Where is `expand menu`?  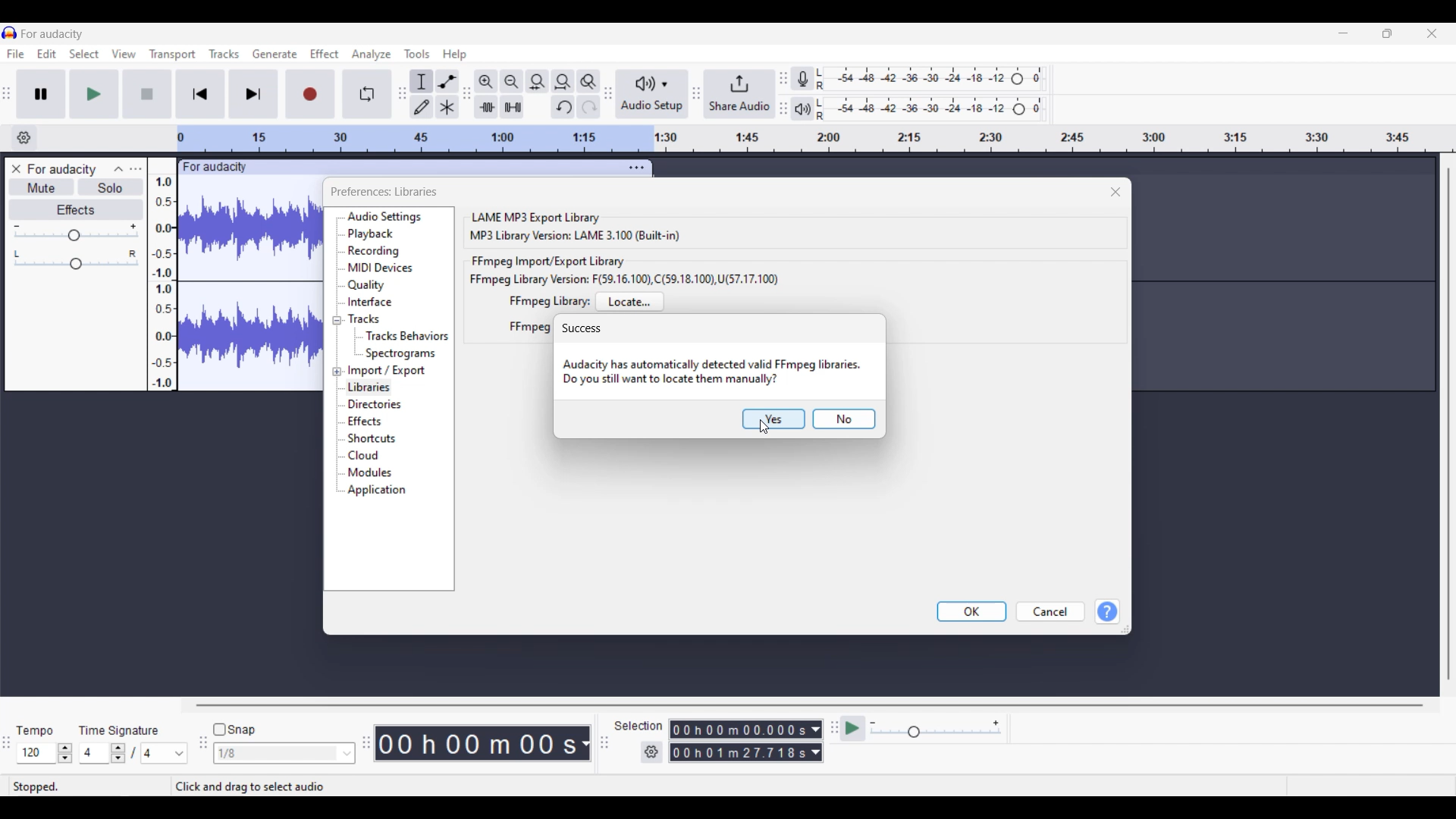
expand menu is located at coordinates (336, 346).